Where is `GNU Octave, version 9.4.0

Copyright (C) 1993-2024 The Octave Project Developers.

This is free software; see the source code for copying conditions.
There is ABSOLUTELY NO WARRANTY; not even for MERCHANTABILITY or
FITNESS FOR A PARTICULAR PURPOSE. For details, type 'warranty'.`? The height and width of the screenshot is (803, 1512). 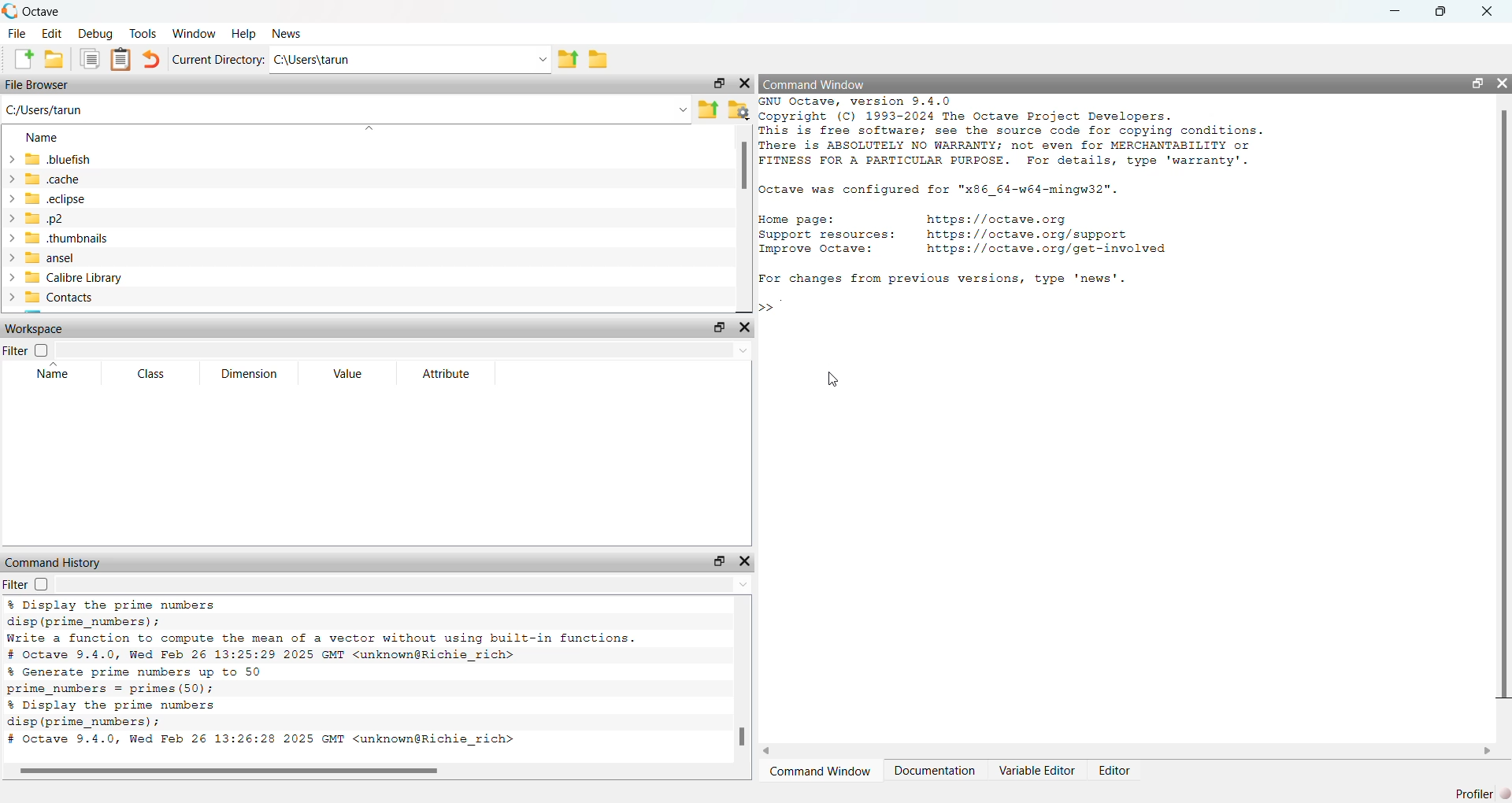
GNU Octave, version 9.4.0

Copyright (C) 1993-2024 The Octave Project Developers.

This is free software; see the source code for copying conditions.
There is ABSOLUTELY NO WARRANTY; not even for MERCHANTABILITY or
FITNESS FOR A PARTICULAR PURPOSE. For details, type 'warranty'. is located at coordinates (1010, 132).